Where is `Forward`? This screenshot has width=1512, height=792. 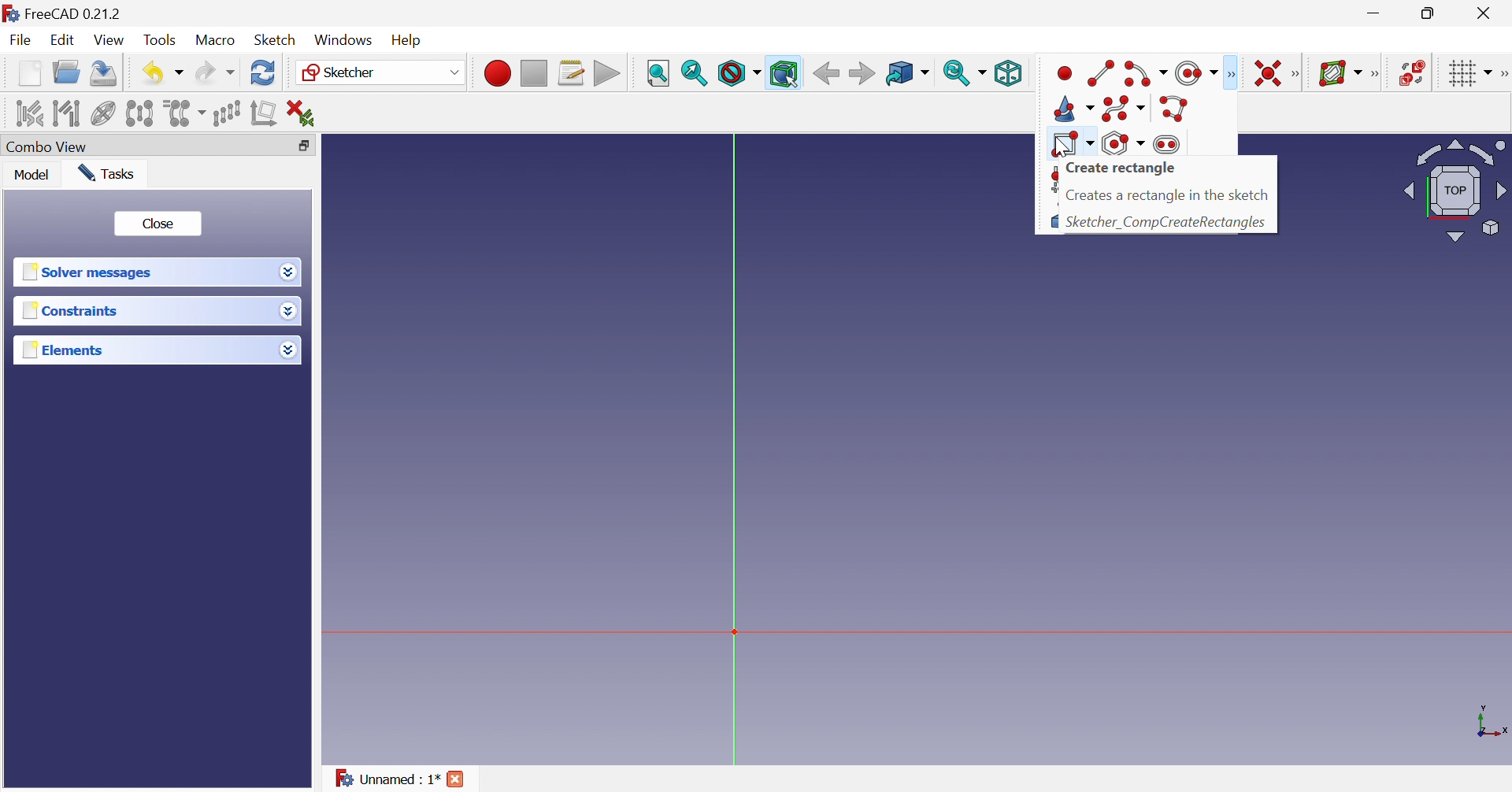
Forward is located at coordinates (862, 74).